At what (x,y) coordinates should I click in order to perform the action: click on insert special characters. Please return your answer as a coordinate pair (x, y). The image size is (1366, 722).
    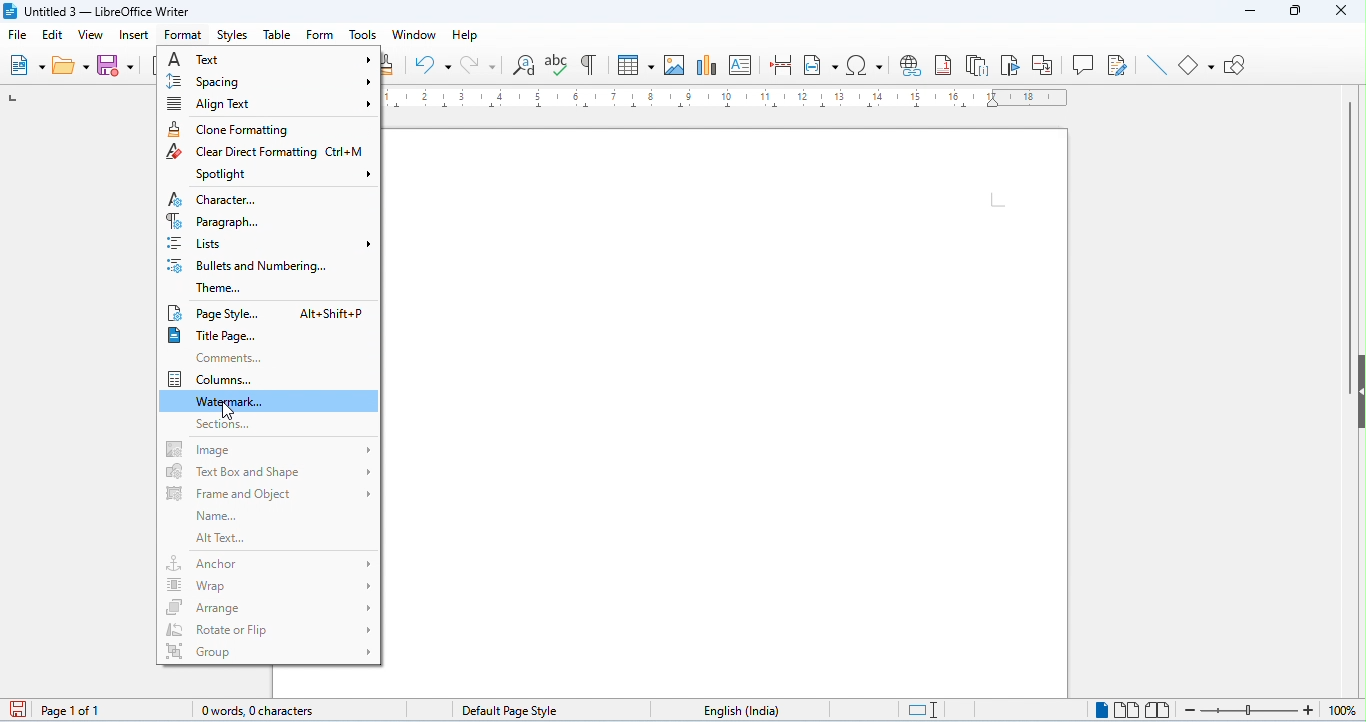
    Looking at the image, I should click on (865, 63).